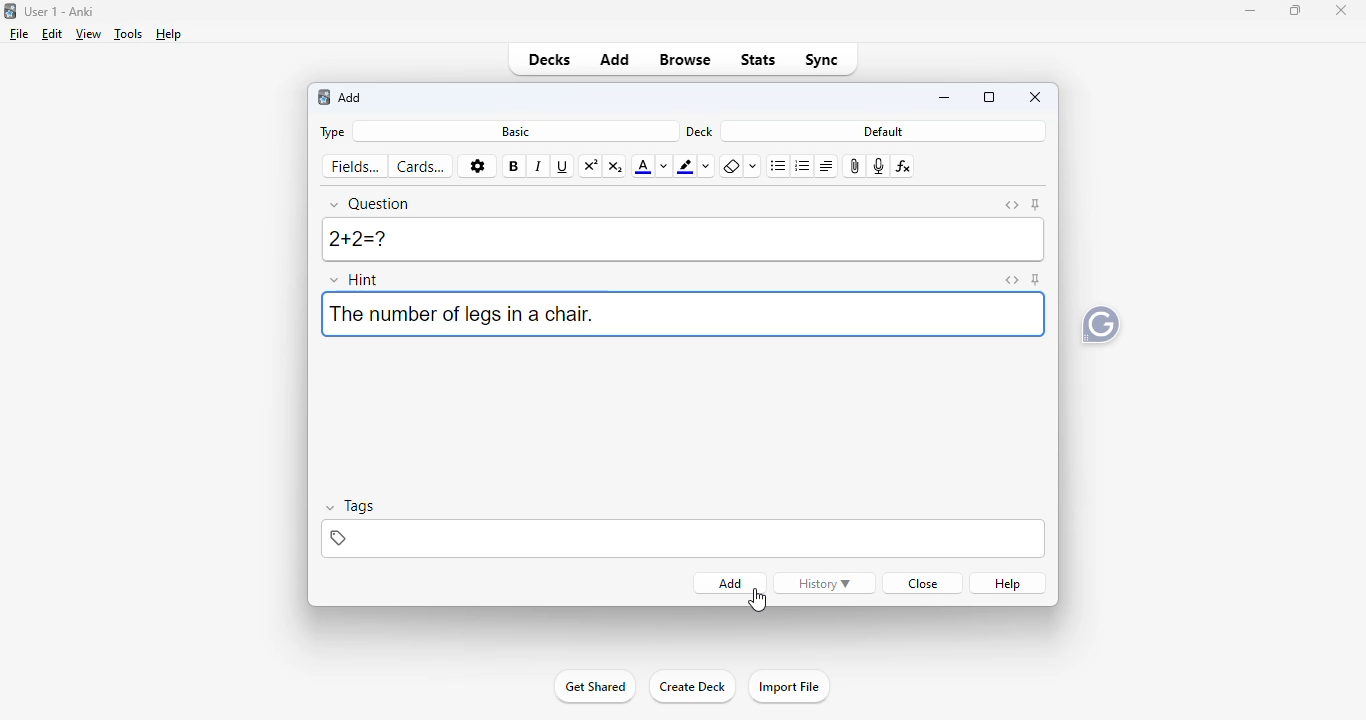 Image resolution: width=1366 pixels, height=720 pixels. What do you see at coordinates (477, 166) in the screenshot?
I see `options` at bounding box center [477, 166].